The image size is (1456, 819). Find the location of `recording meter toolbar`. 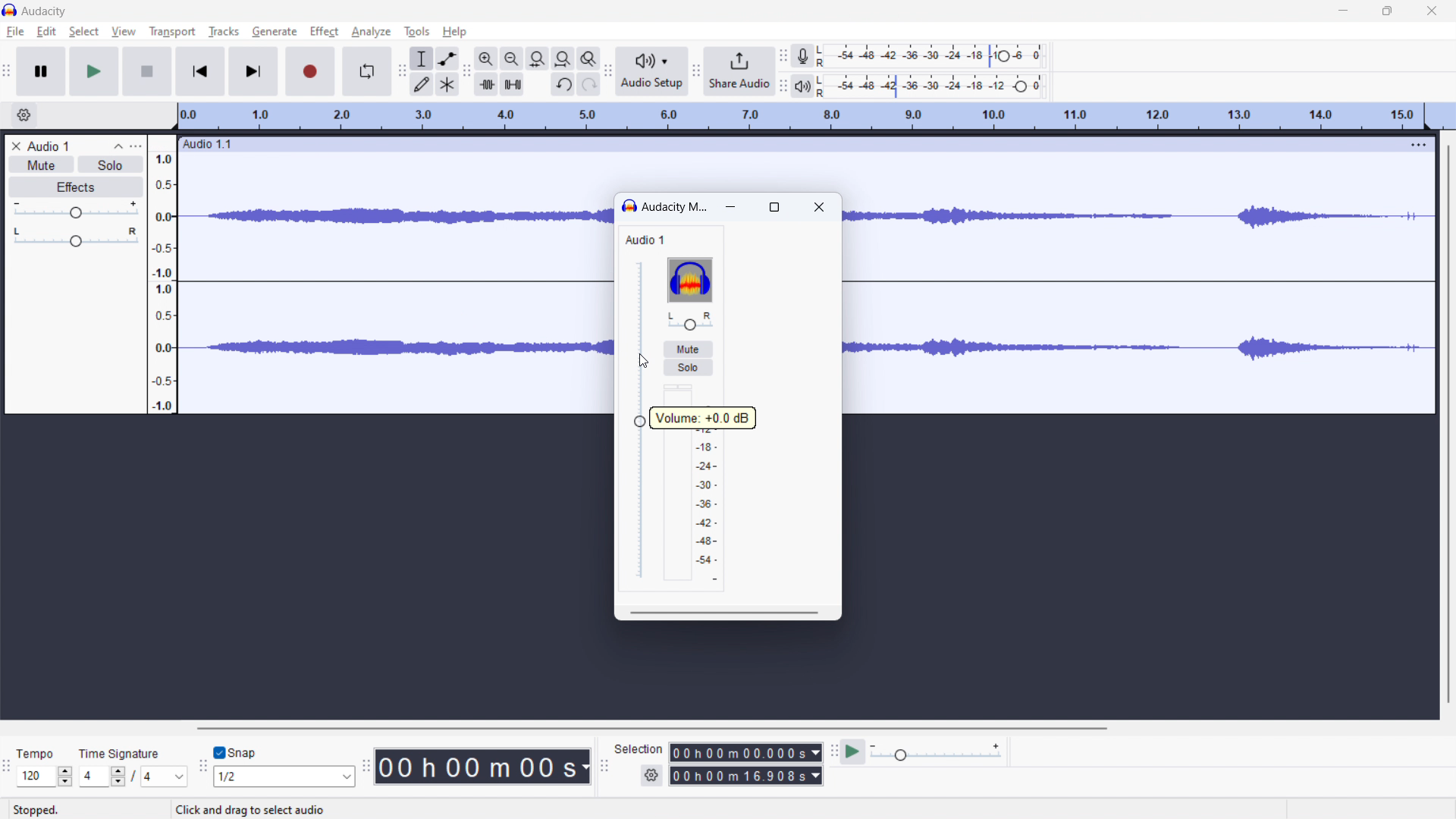

recording meter toolbar is located at coordinates (783, 55).